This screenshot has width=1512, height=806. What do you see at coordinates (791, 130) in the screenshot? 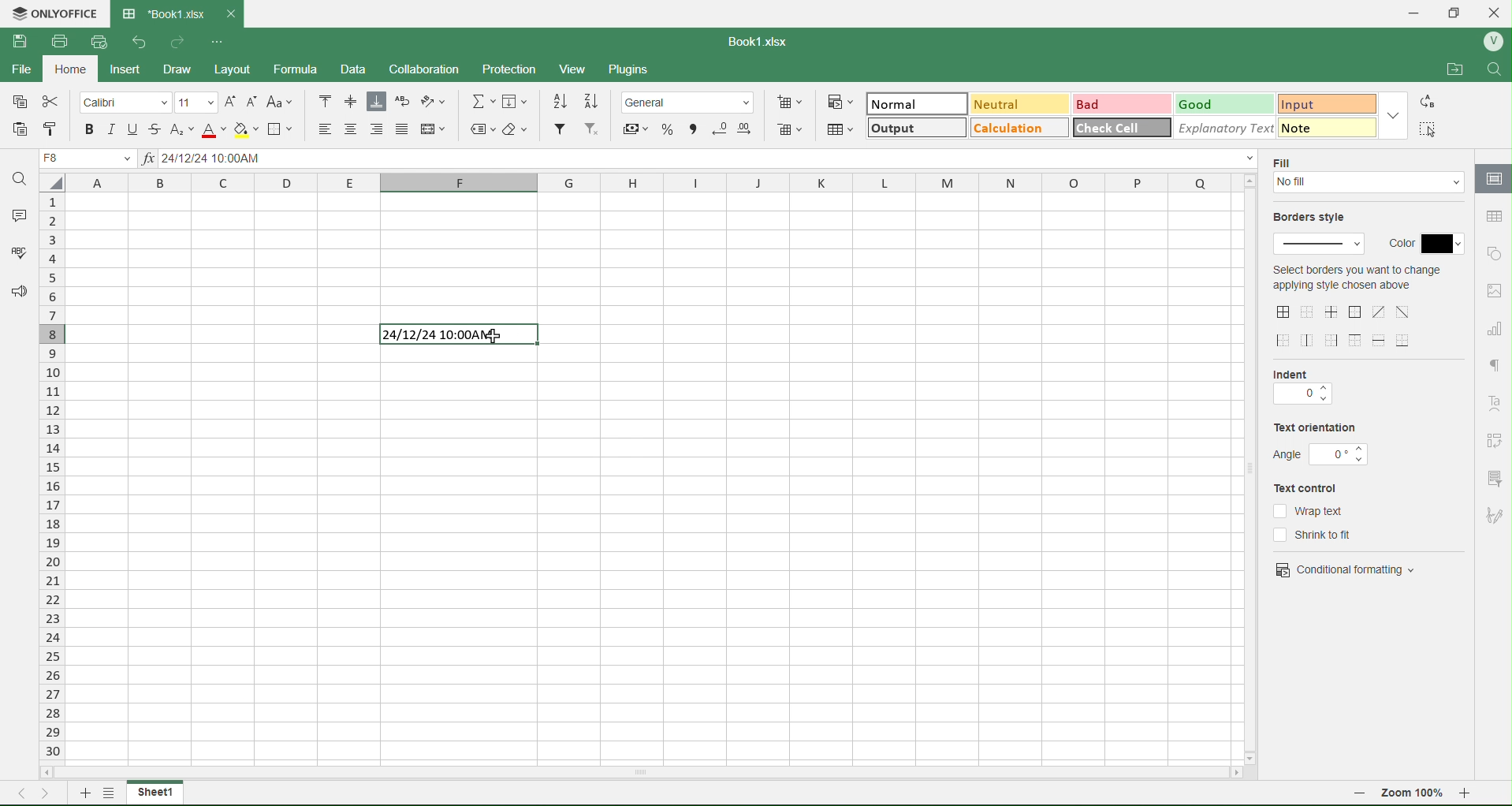
I see `Delete Cells` at bounding box center [791, 130].